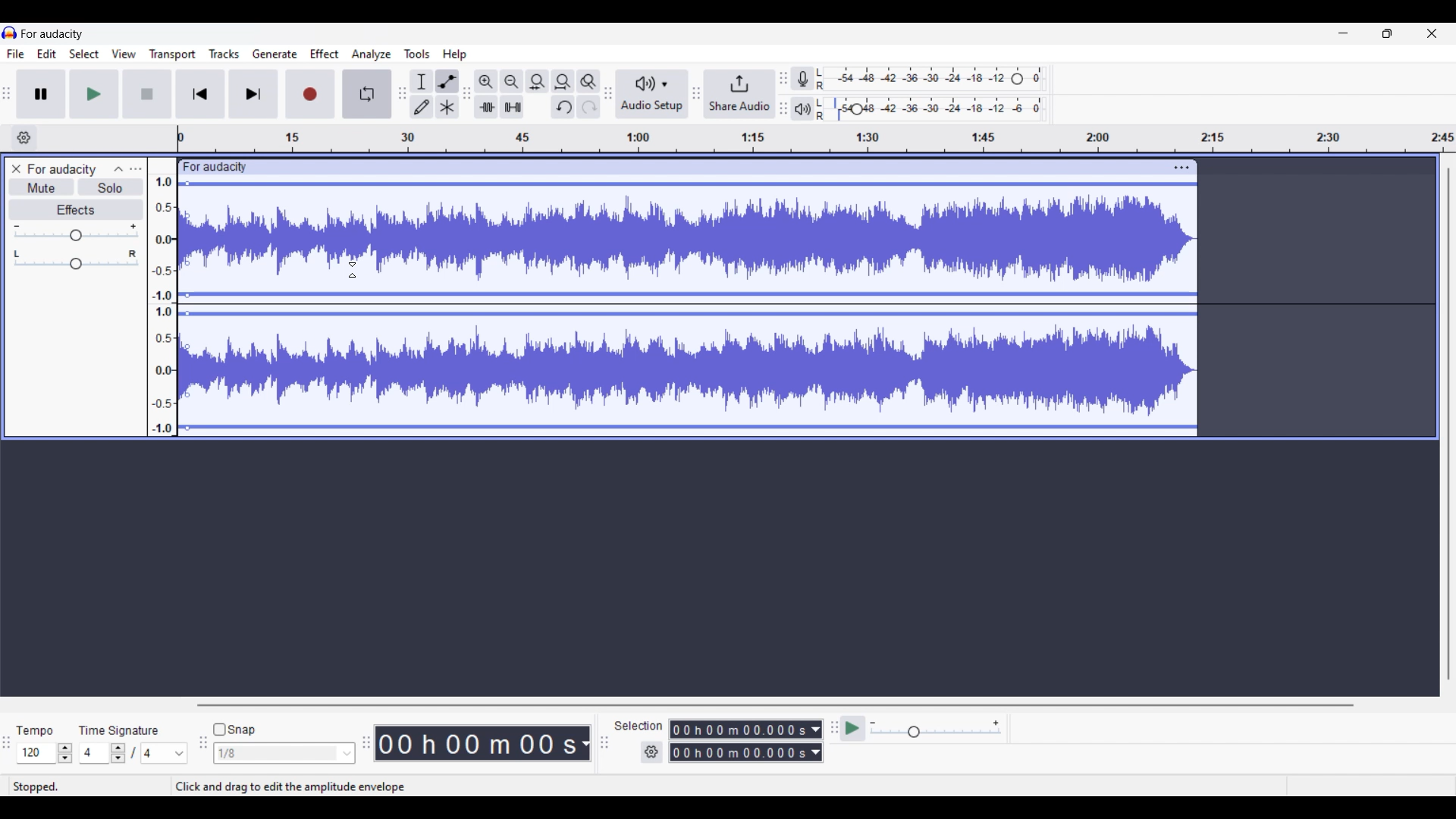 The image size is (1456, 819). Describe the element at coordinates (311, 94) in the screenshot. I see `Record/Record new track` at that location.